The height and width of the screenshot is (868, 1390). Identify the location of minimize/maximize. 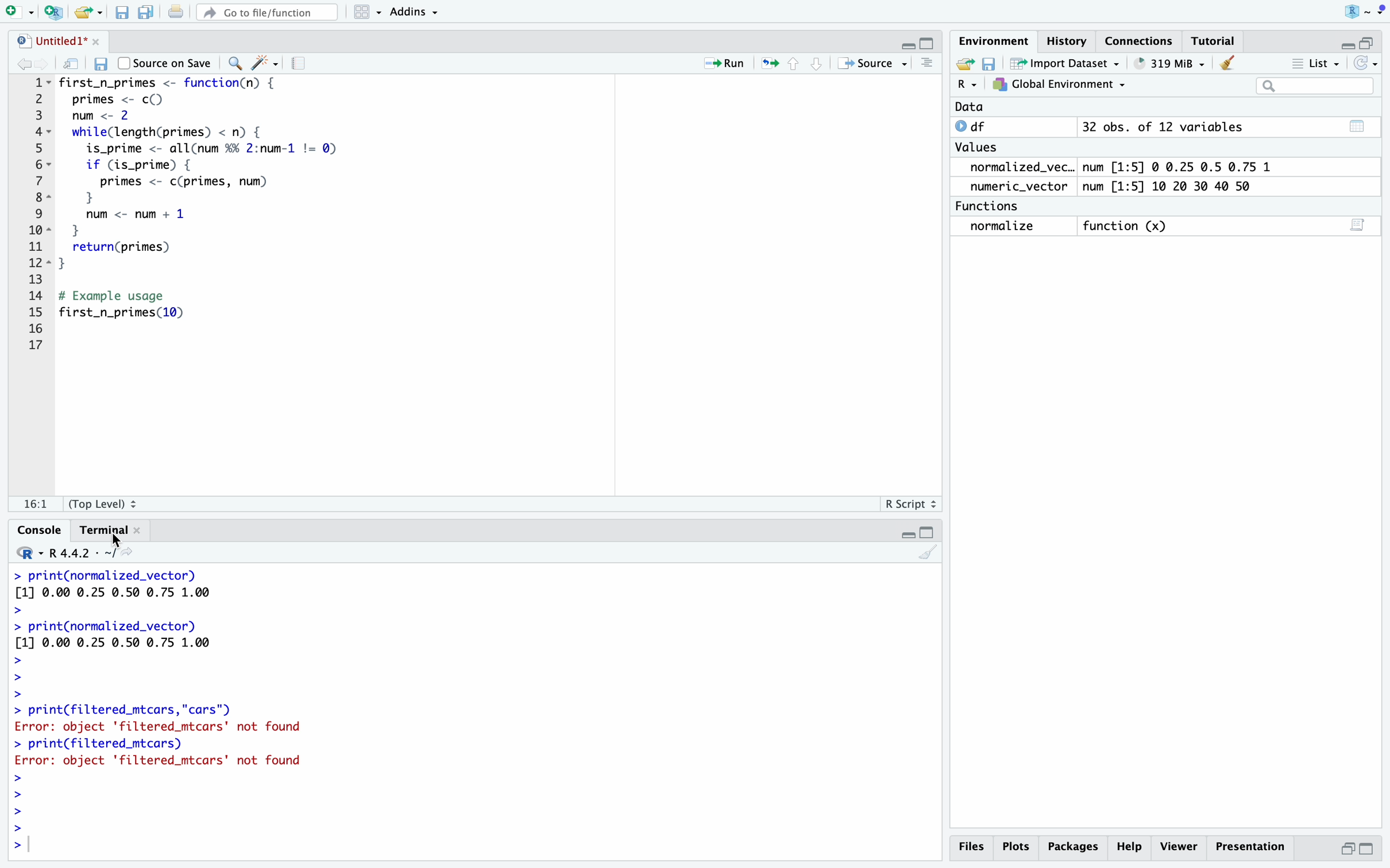
(1350, 41).